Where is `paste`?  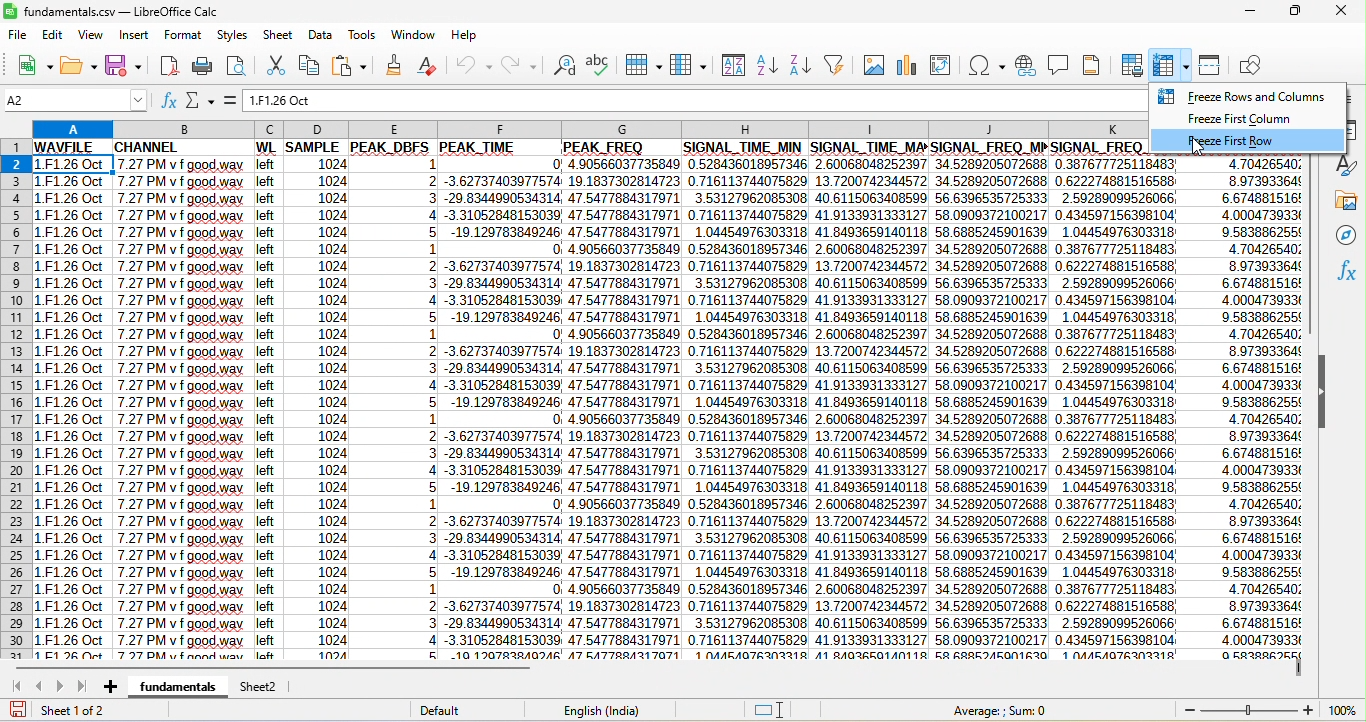
paste is located at coordinates (355, 64).